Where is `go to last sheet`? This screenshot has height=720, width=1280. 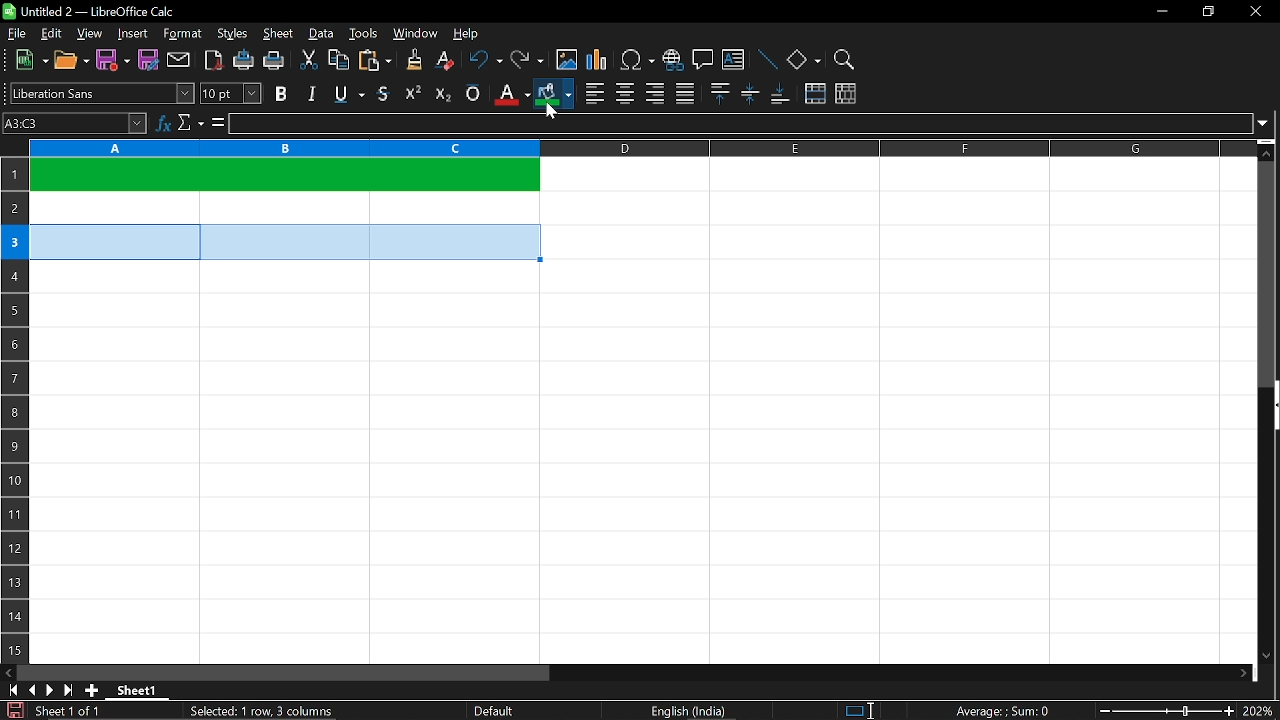
go to last sheet is located at coordinates (66, 691).